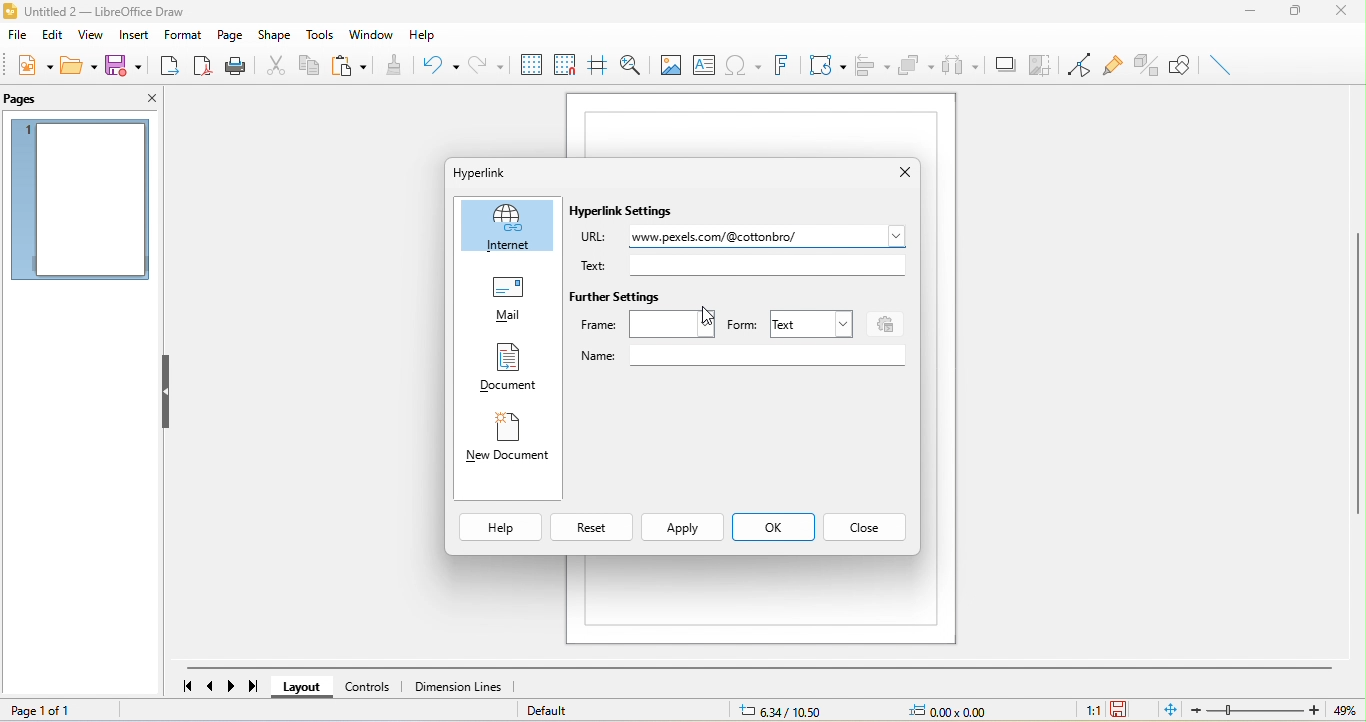 This screenshot has width=1366, height=722. Describe the element at coordinates (272, 65) in the screenshot. I see `cut` at that location.